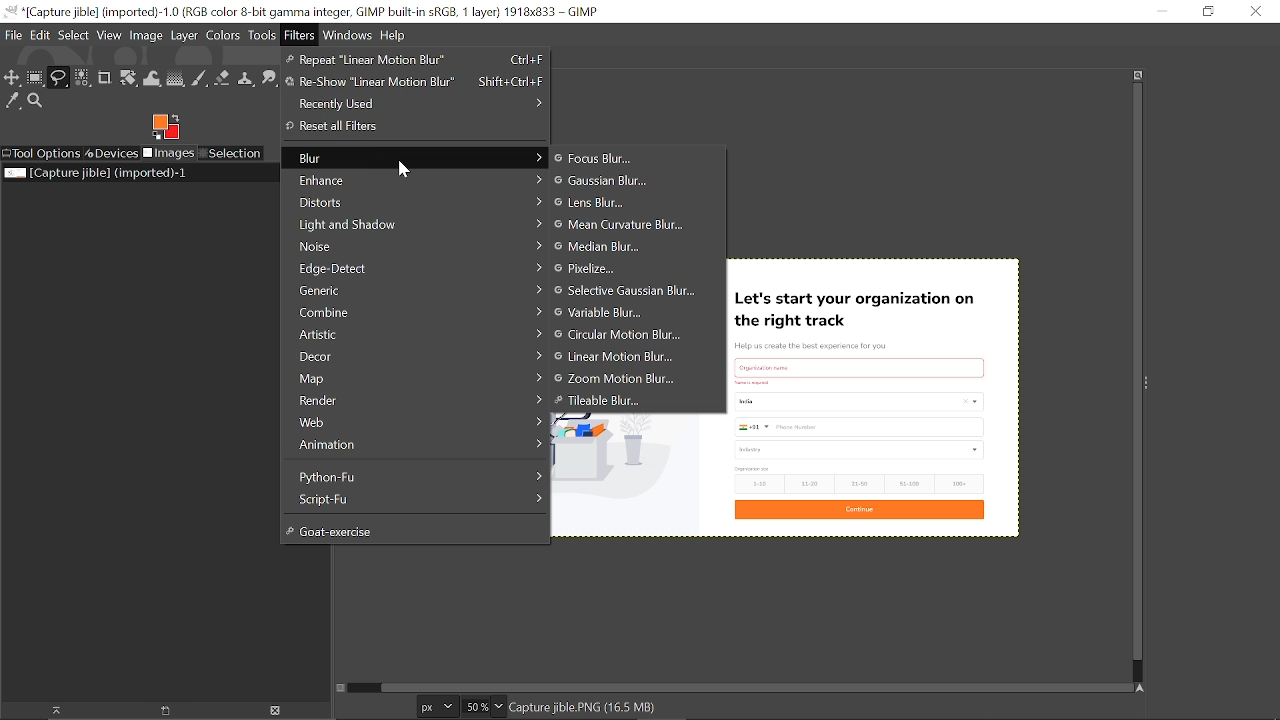  Describe the element at coordinates (874, 396) in the screenshot. I see `Current image` at that location.